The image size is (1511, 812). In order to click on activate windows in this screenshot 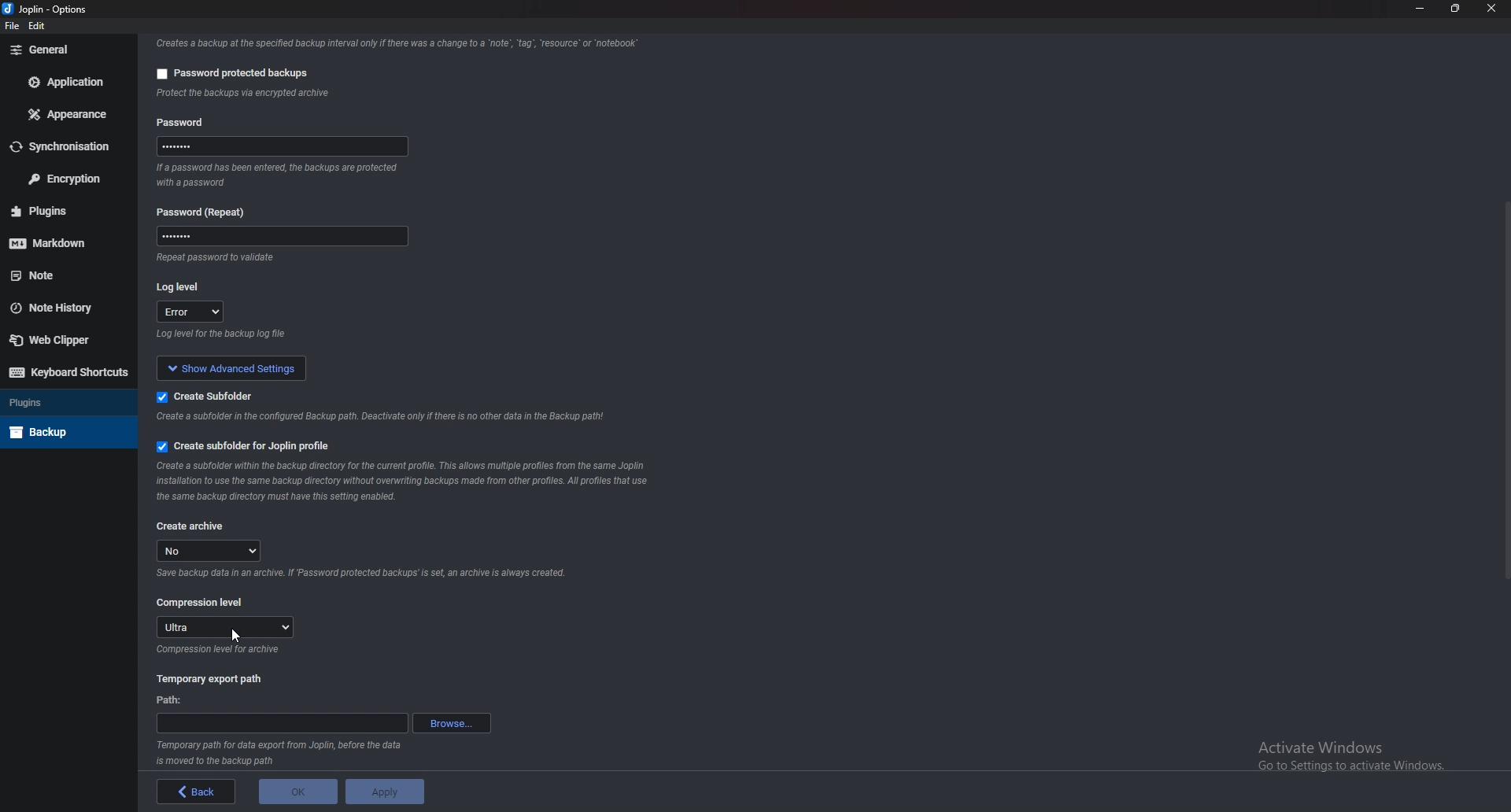, I will do `click(1362, 752)`.